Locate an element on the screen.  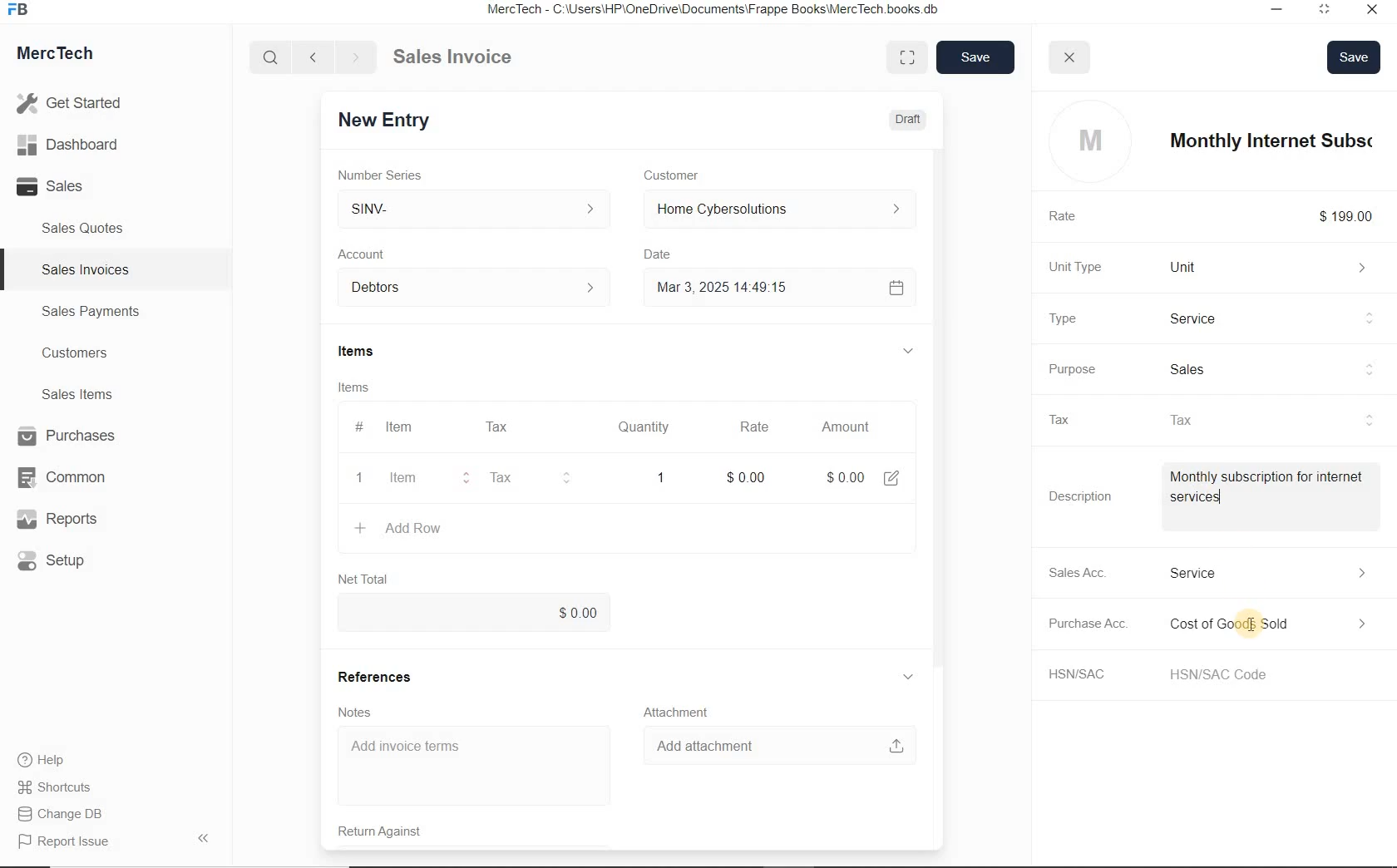
Search is located at coordinates (272, 57).